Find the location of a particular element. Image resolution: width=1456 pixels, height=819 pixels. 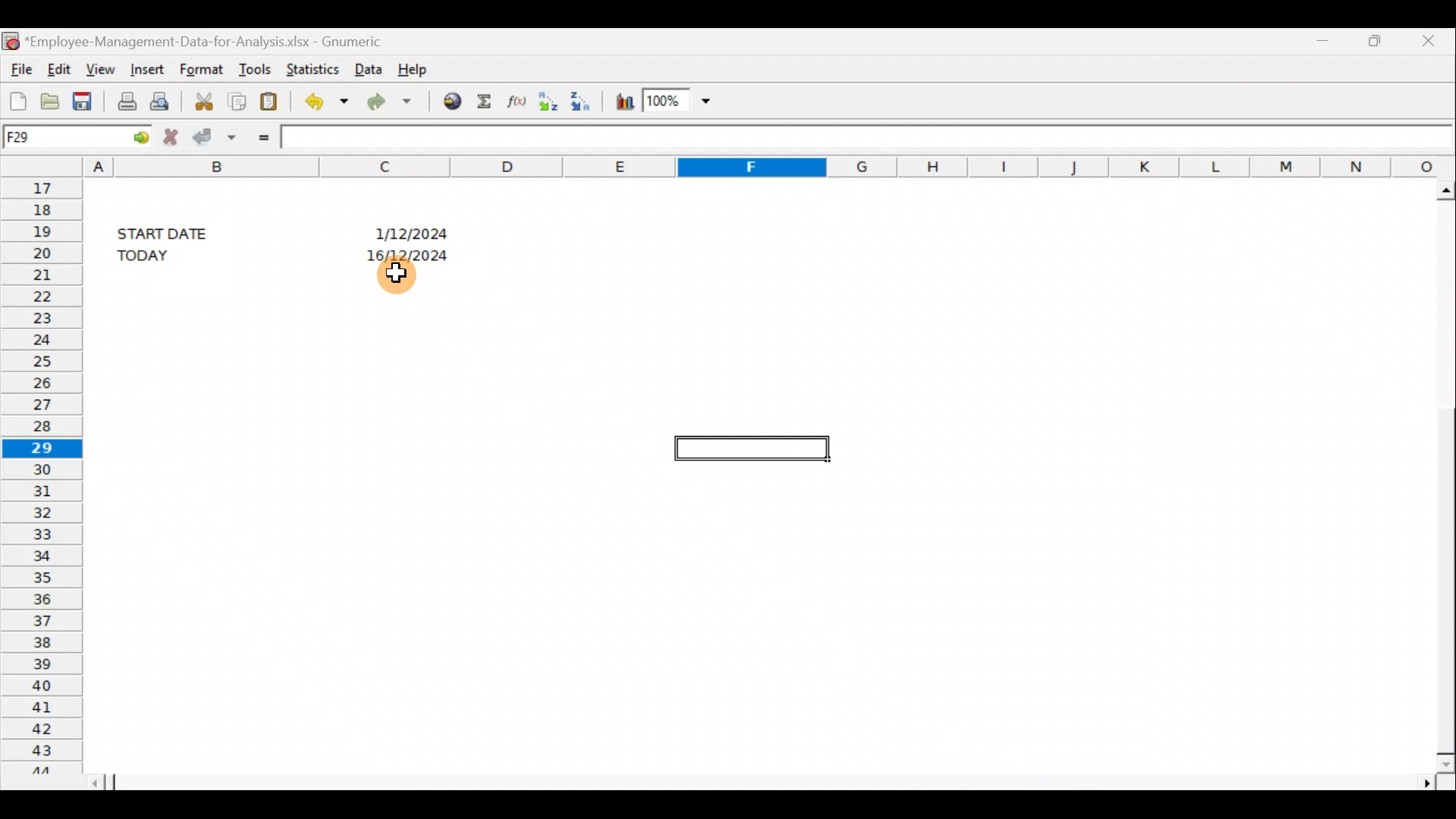

Statistics is located at coordinates (309, 67).